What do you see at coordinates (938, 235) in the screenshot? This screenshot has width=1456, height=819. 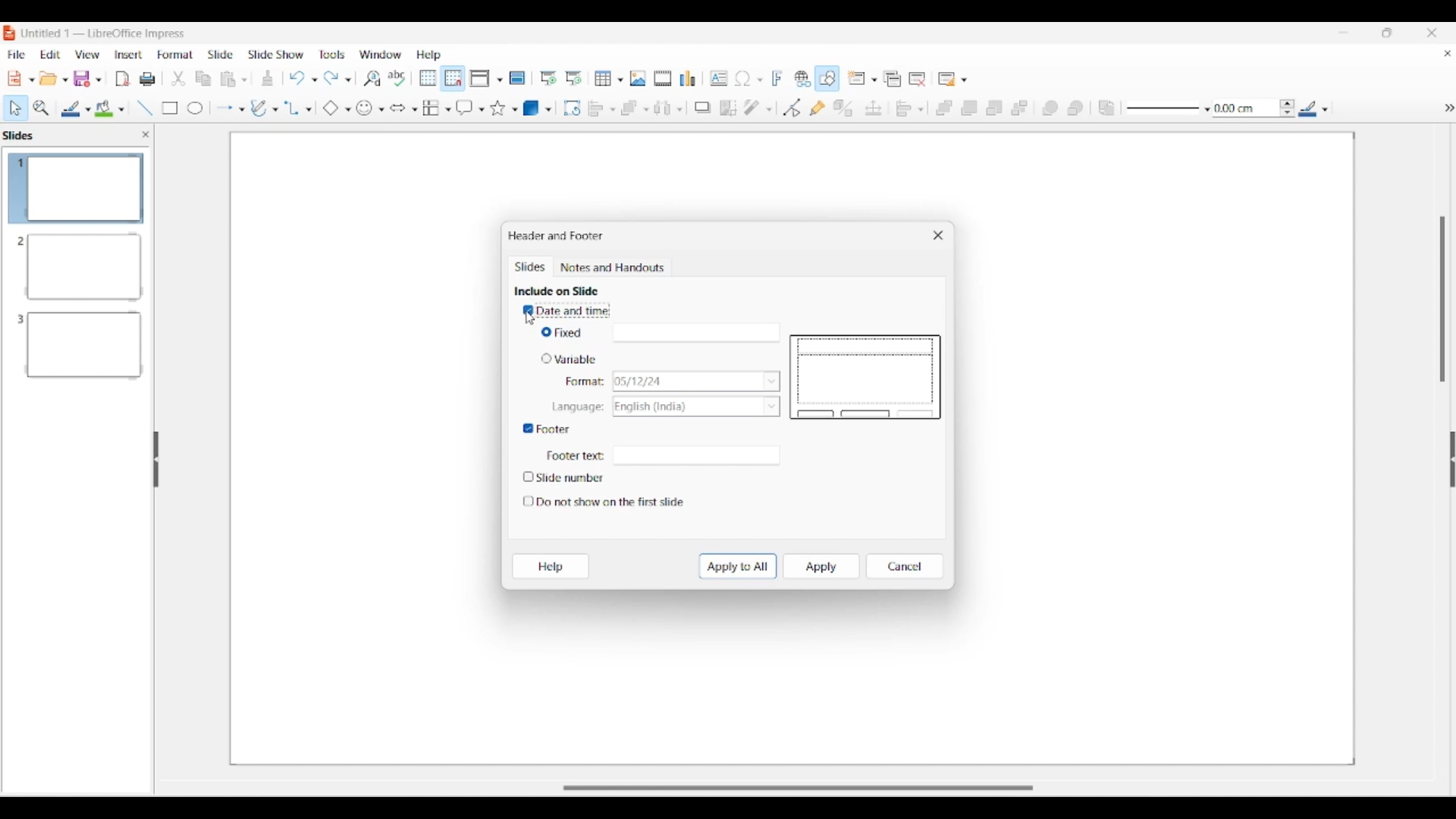 I see `Close window` at bounding box center [938, 235].